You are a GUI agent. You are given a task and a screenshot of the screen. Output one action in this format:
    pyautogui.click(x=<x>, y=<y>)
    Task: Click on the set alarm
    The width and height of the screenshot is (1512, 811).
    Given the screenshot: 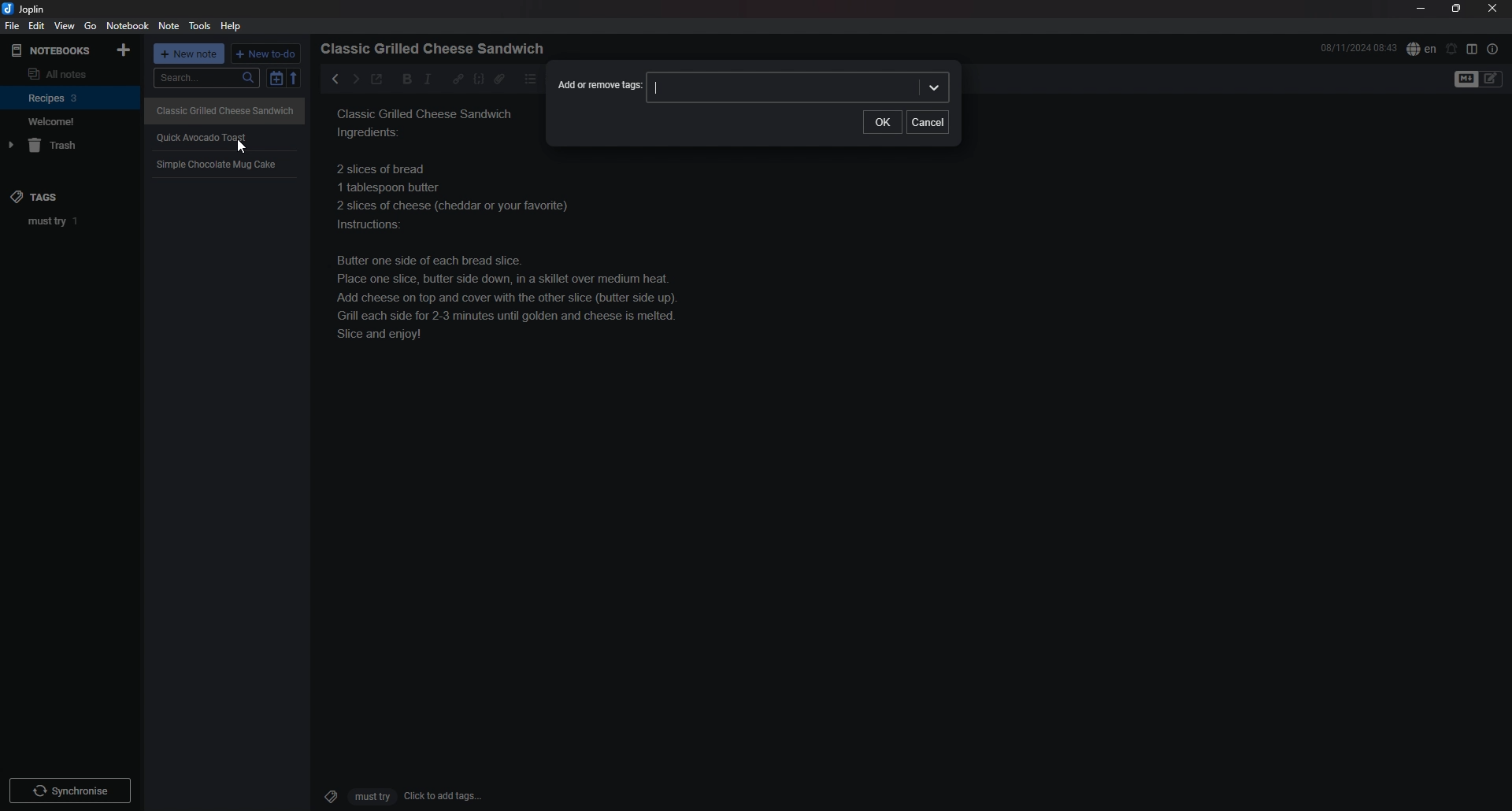 What is the action you would take?
    pyautogui.click(x=1452, y=48)
    